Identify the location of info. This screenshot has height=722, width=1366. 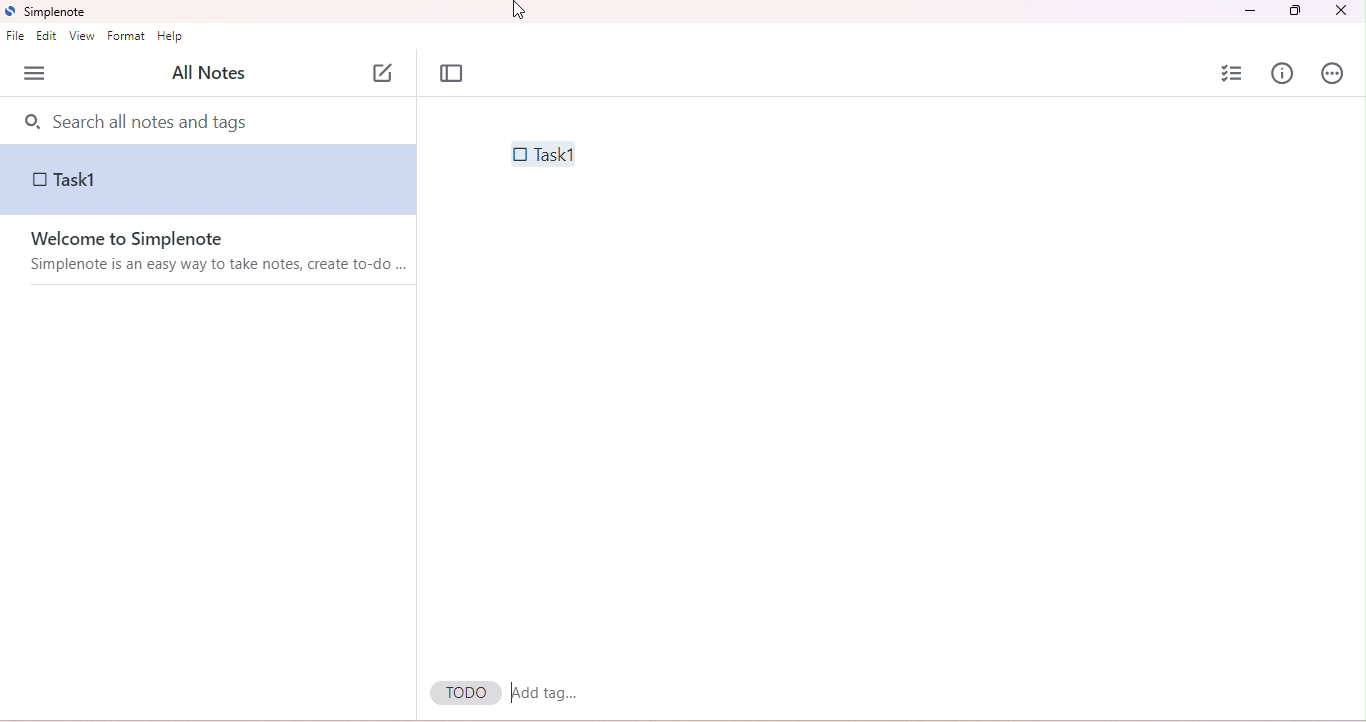
(1283, 73).